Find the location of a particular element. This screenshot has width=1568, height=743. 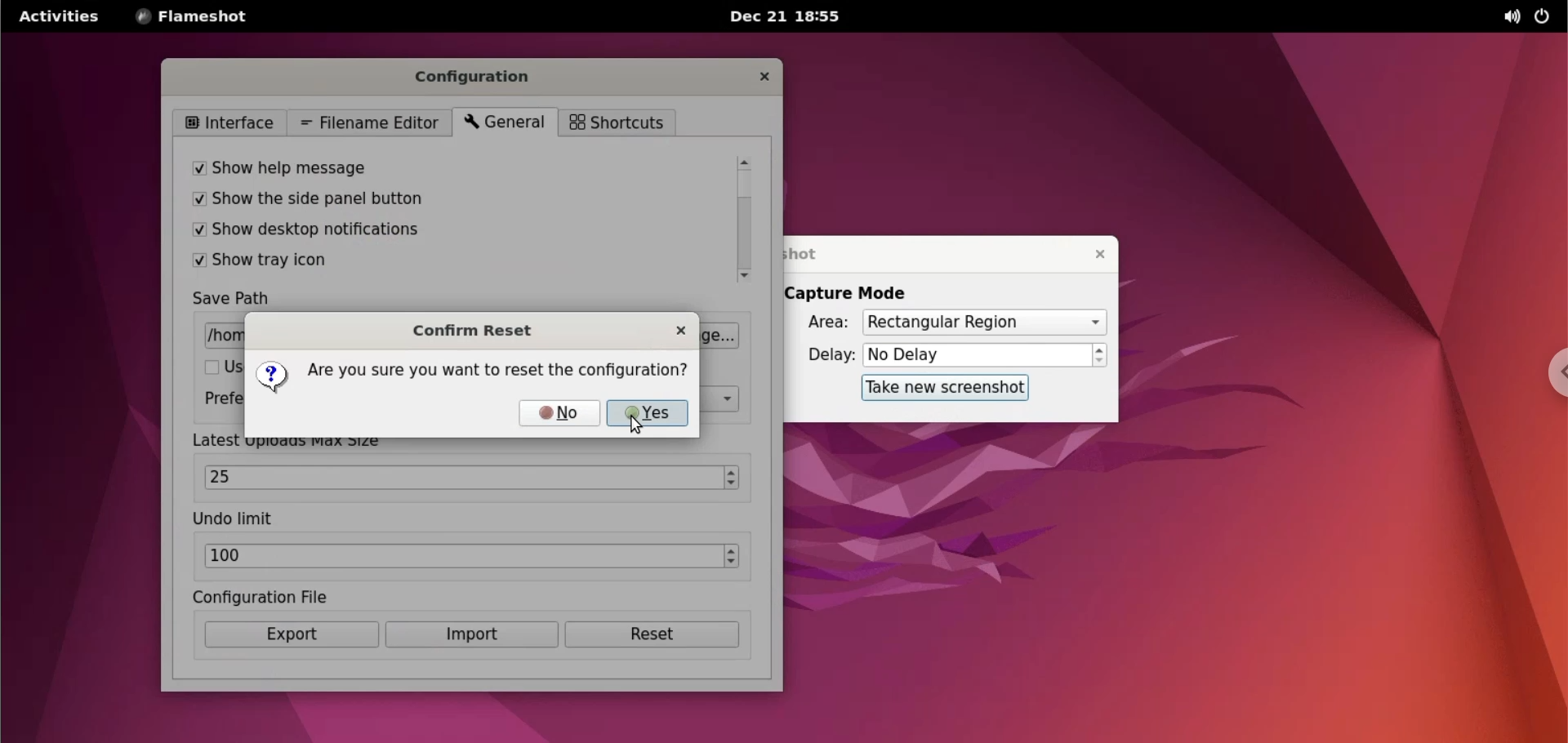

chrome options is located at coordinates (1548, 377).